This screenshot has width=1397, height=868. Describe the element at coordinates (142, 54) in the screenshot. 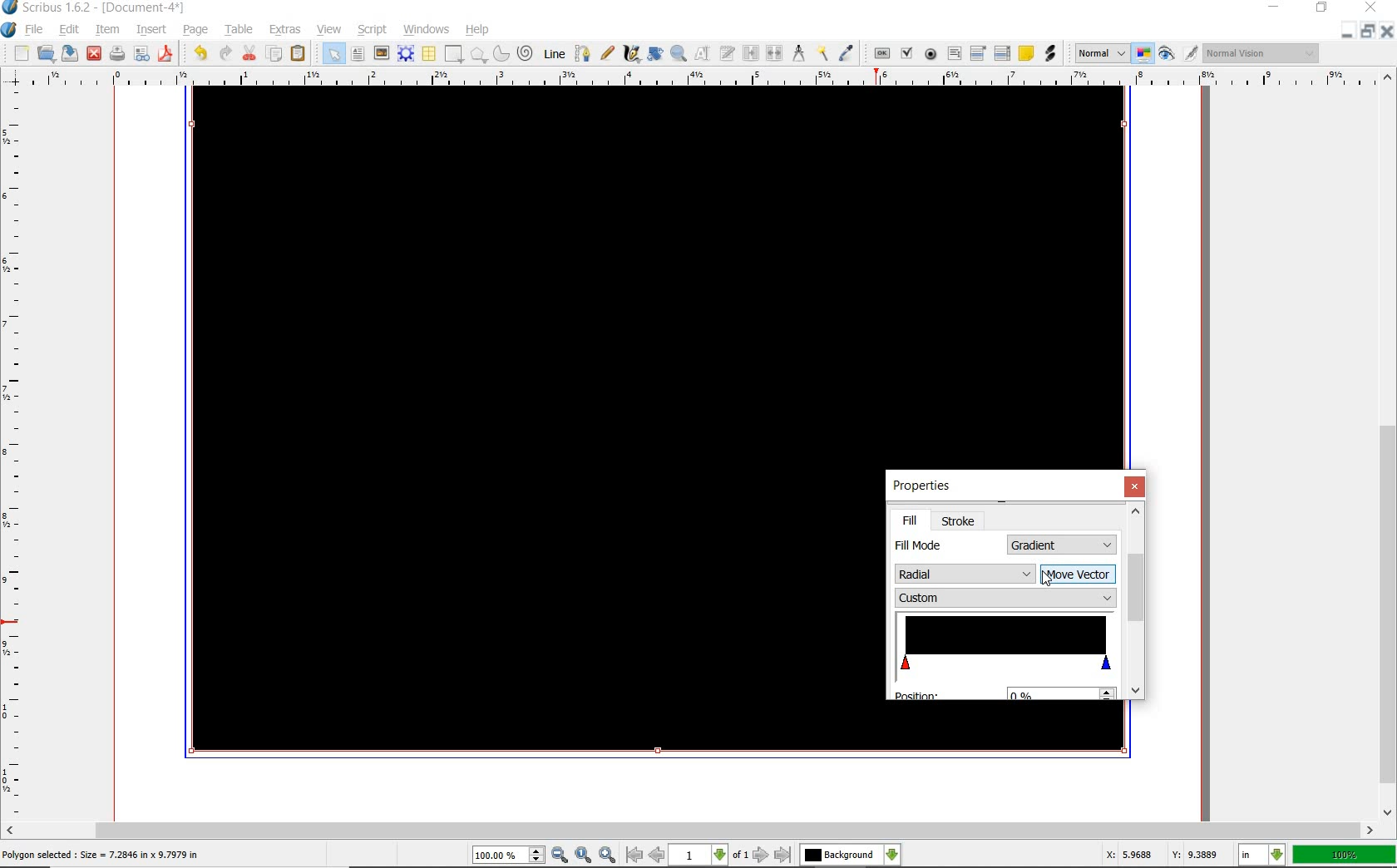

I see `preflight verifier` at that location.